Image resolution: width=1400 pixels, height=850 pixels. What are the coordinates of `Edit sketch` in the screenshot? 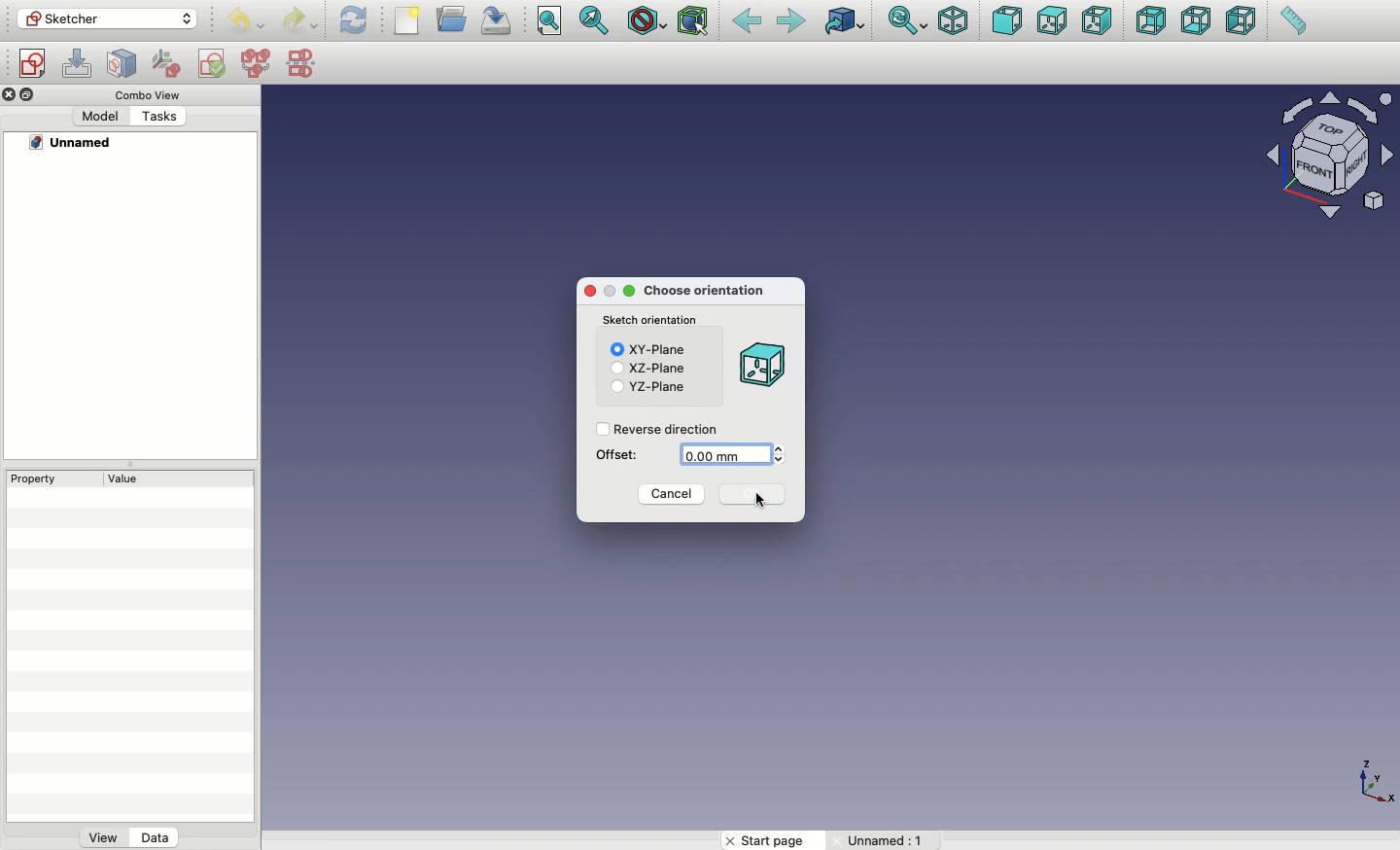 It's located at (80, 64).